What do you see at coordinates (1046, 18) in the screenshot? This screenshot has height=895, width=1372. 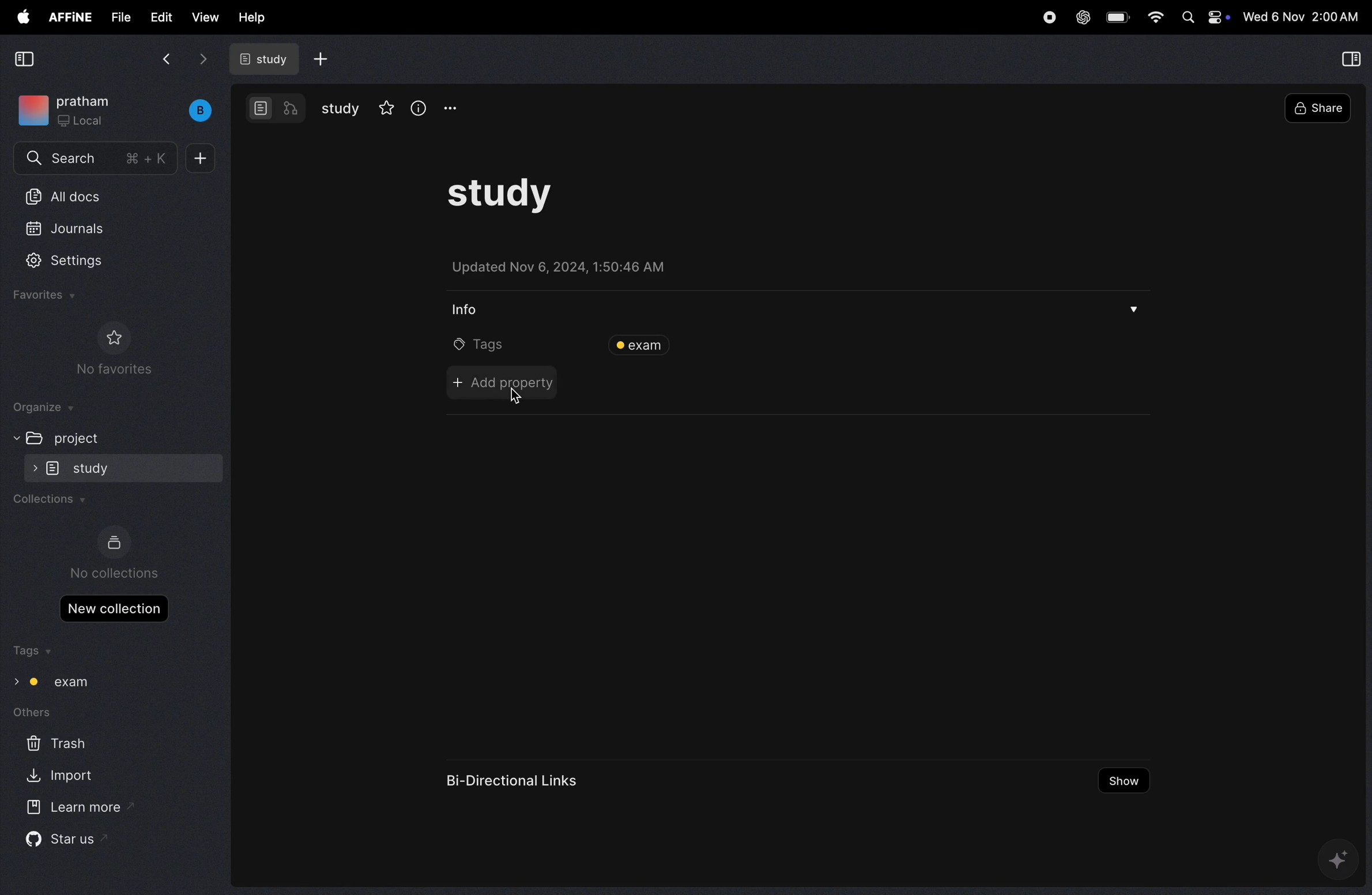 I see `record` at bounding box center [1046, 18].